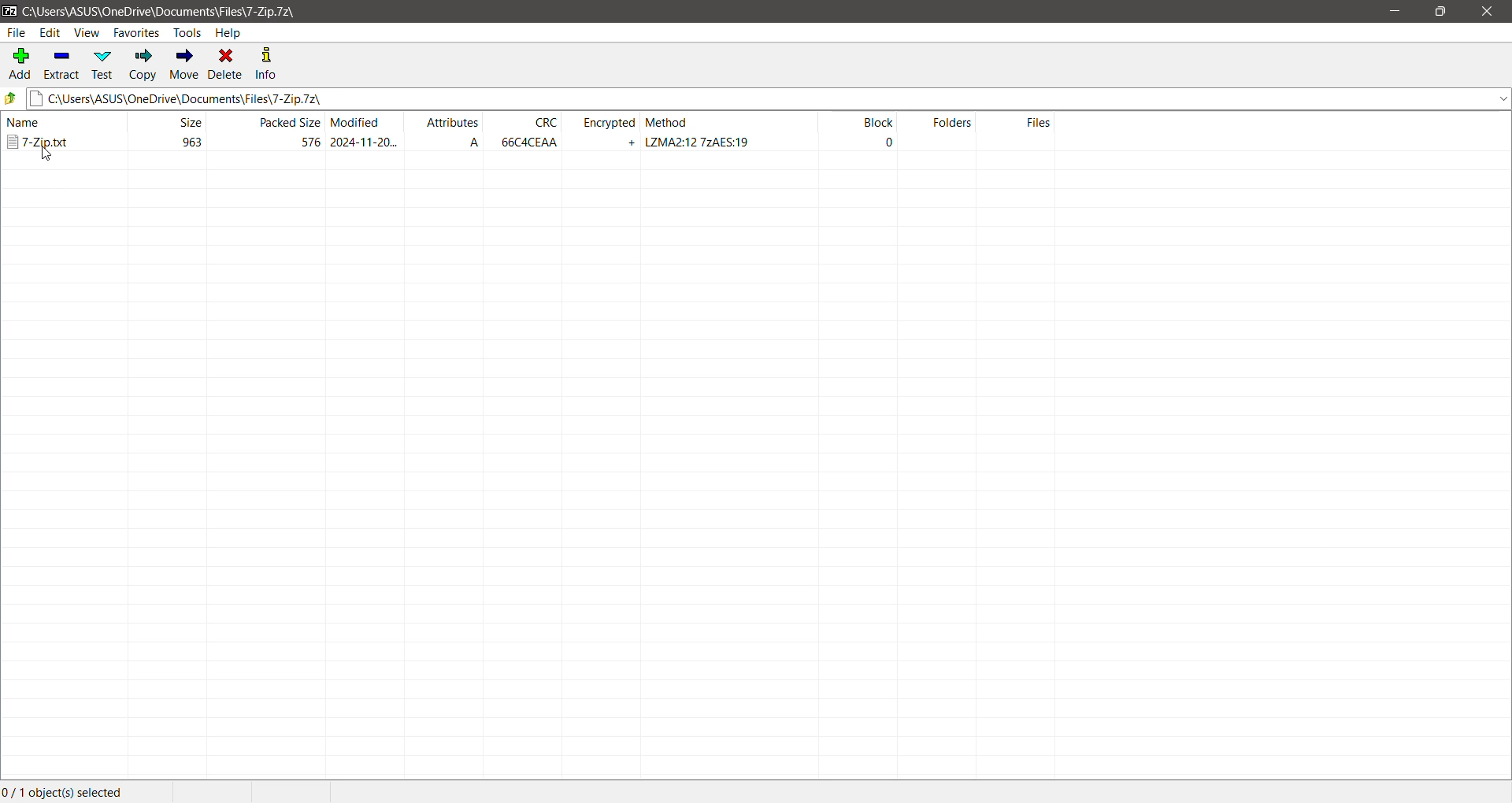 The height and width of the screenshot is (803, 1512). Describe the element at coordinates (857, 133) in the screenshot. I see `Block` at that location.